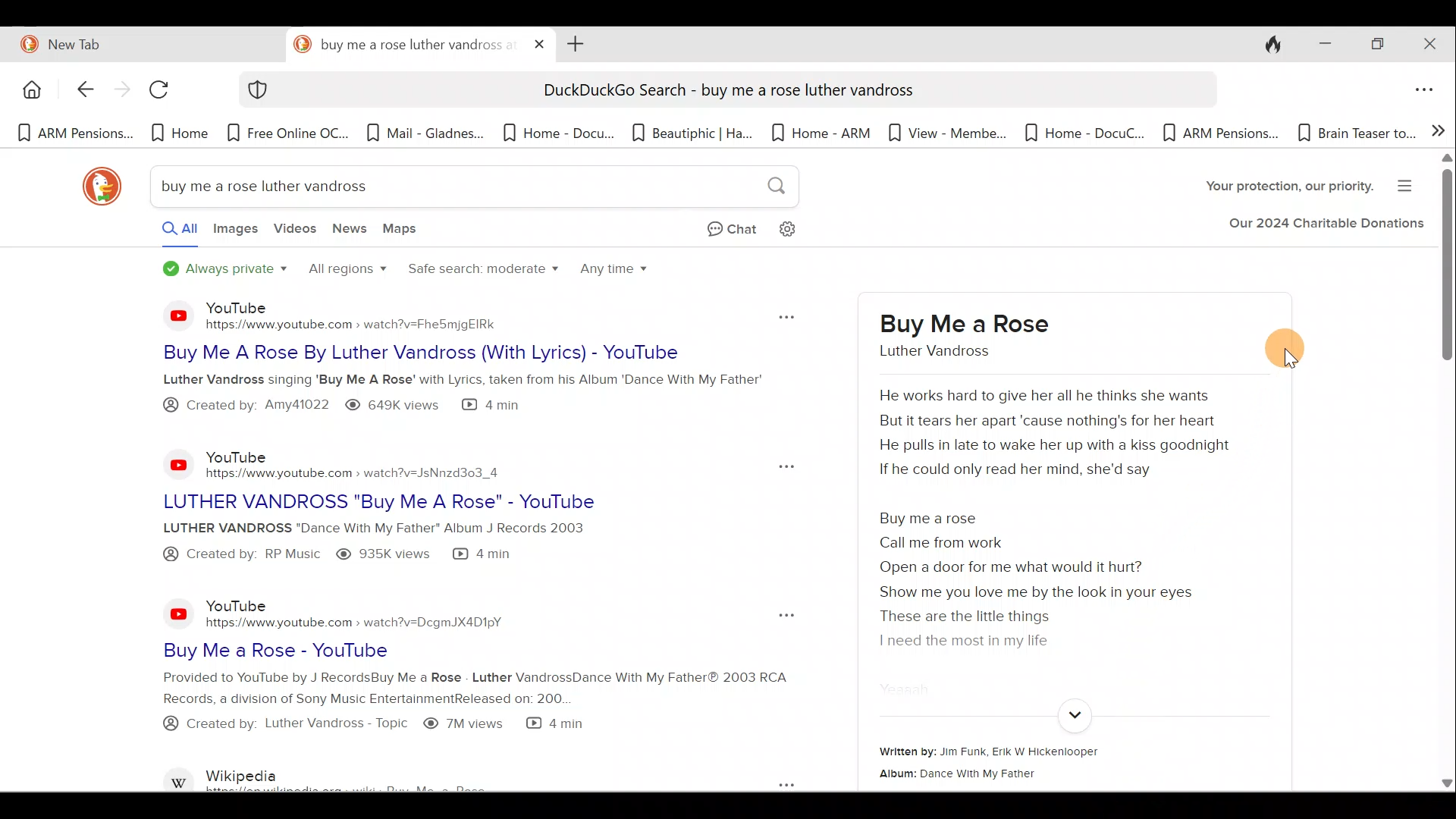  Describe the element at coordinates (295, 234) in the screenshot. I see `Videos` at that location.